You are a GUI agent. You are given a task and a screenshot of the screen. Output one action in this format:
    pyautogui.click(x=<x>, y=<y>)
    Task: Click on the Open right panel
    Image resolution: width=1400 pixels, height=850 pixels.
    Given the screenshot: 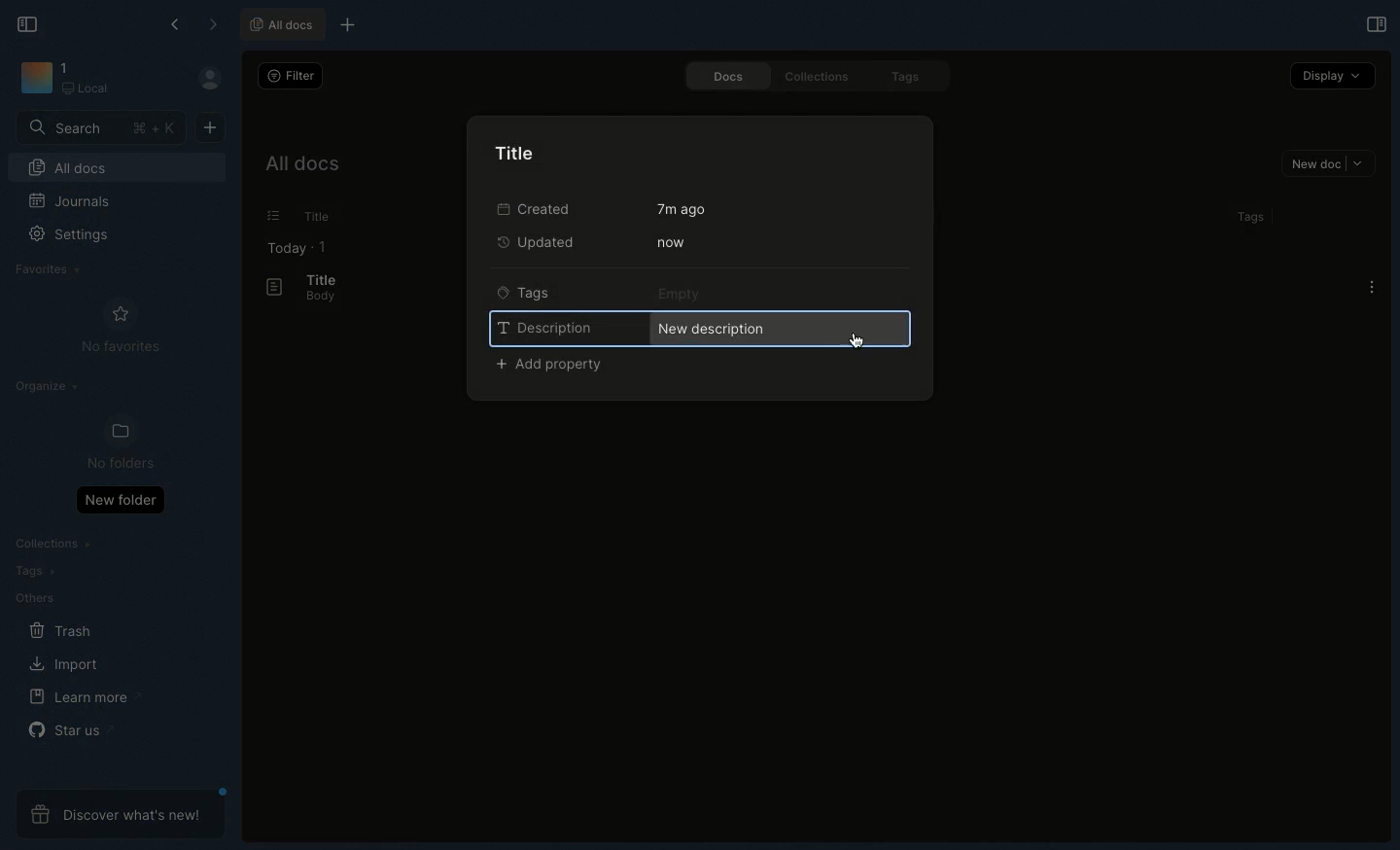 What is the action you would take?
    pyautogui.click(x=1374, y=23)
    